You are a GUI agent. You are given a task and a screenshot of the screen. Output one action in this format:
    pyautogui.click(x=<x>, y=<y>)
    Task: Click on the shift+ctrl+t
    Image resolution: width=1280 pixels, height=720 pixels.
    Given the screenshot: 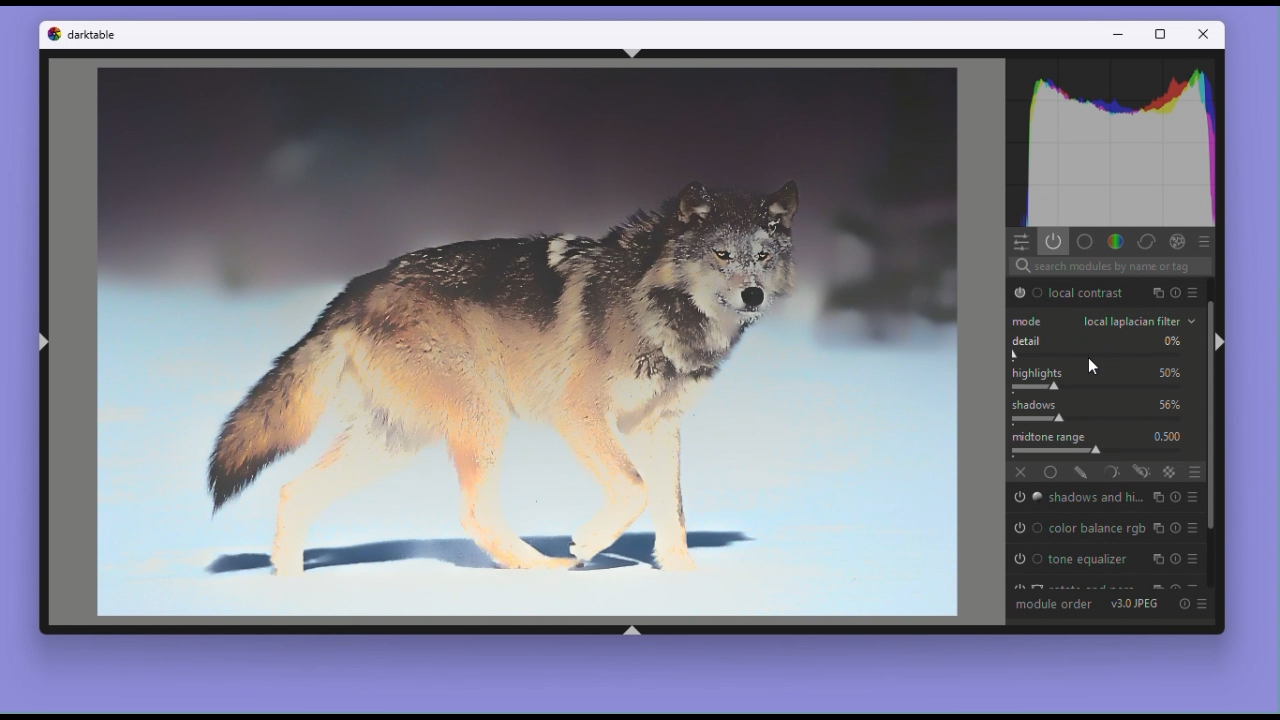 What is the action you would take?
    pyautogui.click(x=635, y=52)
    